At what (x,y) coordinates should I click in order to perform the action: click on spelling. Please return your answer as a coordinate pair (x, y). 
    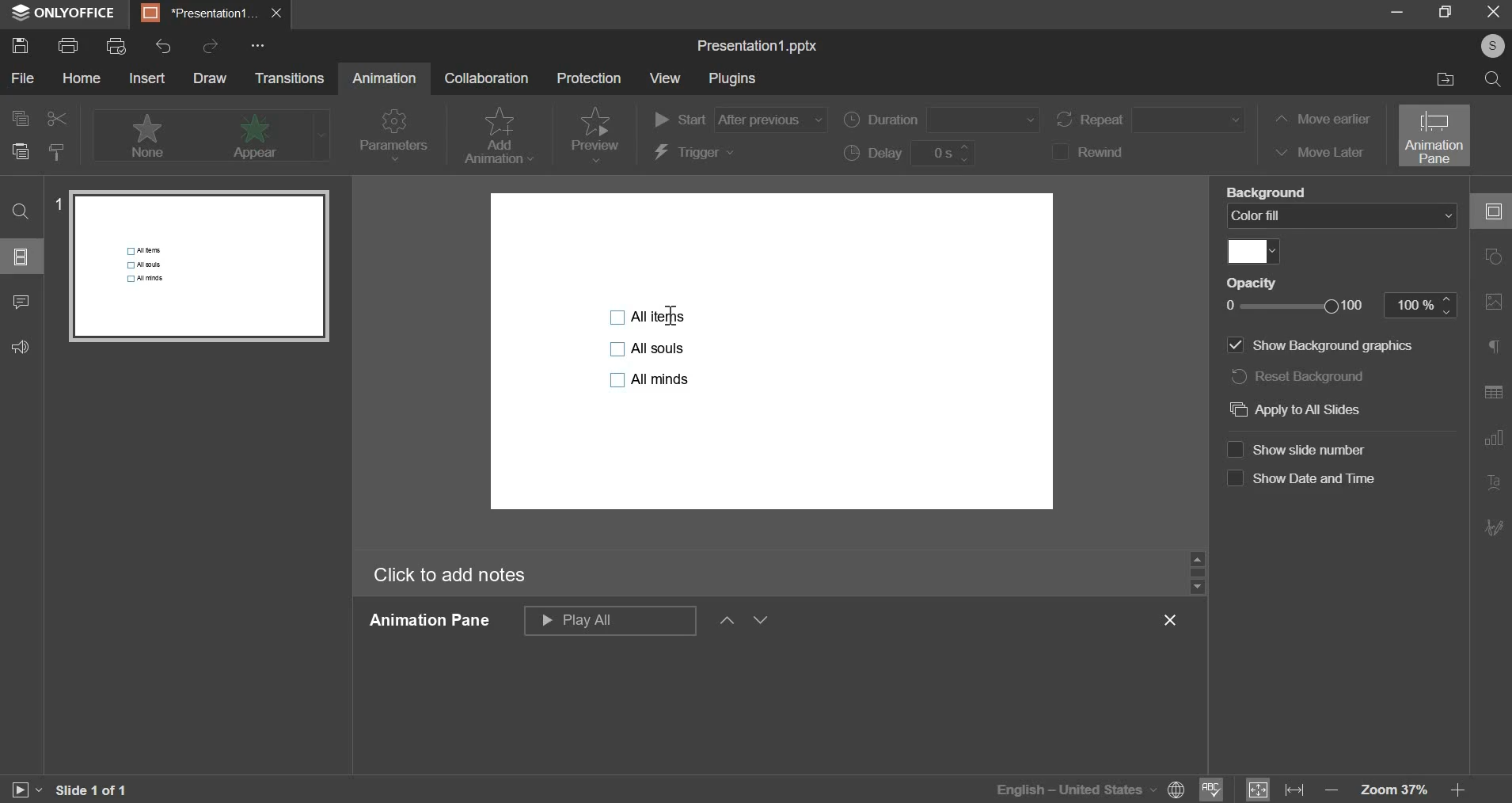
    Looking at the image, I should click on (1212, 787).